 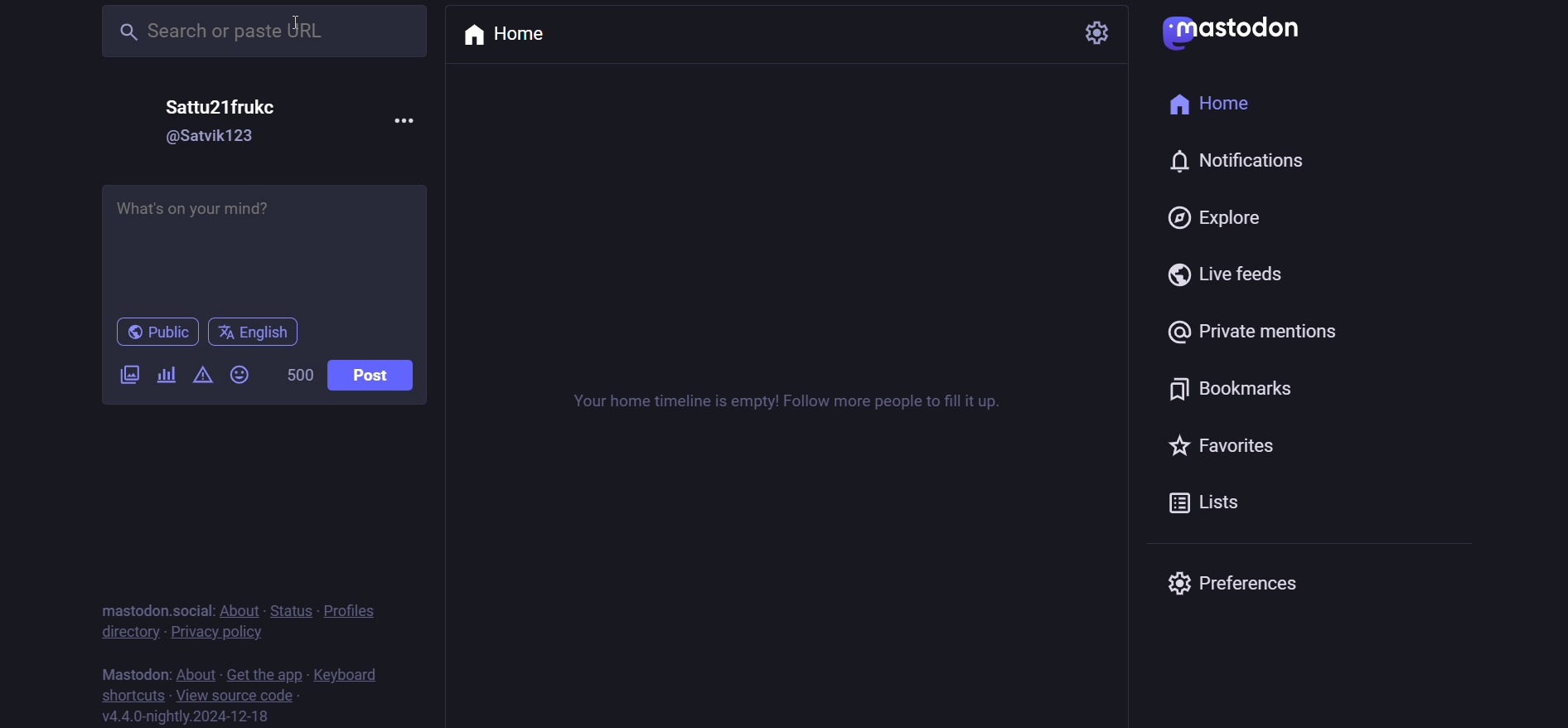 What do you see at coordinates (404, 119) in the screenshot?
I see `more` at bounding box center [404, 119].